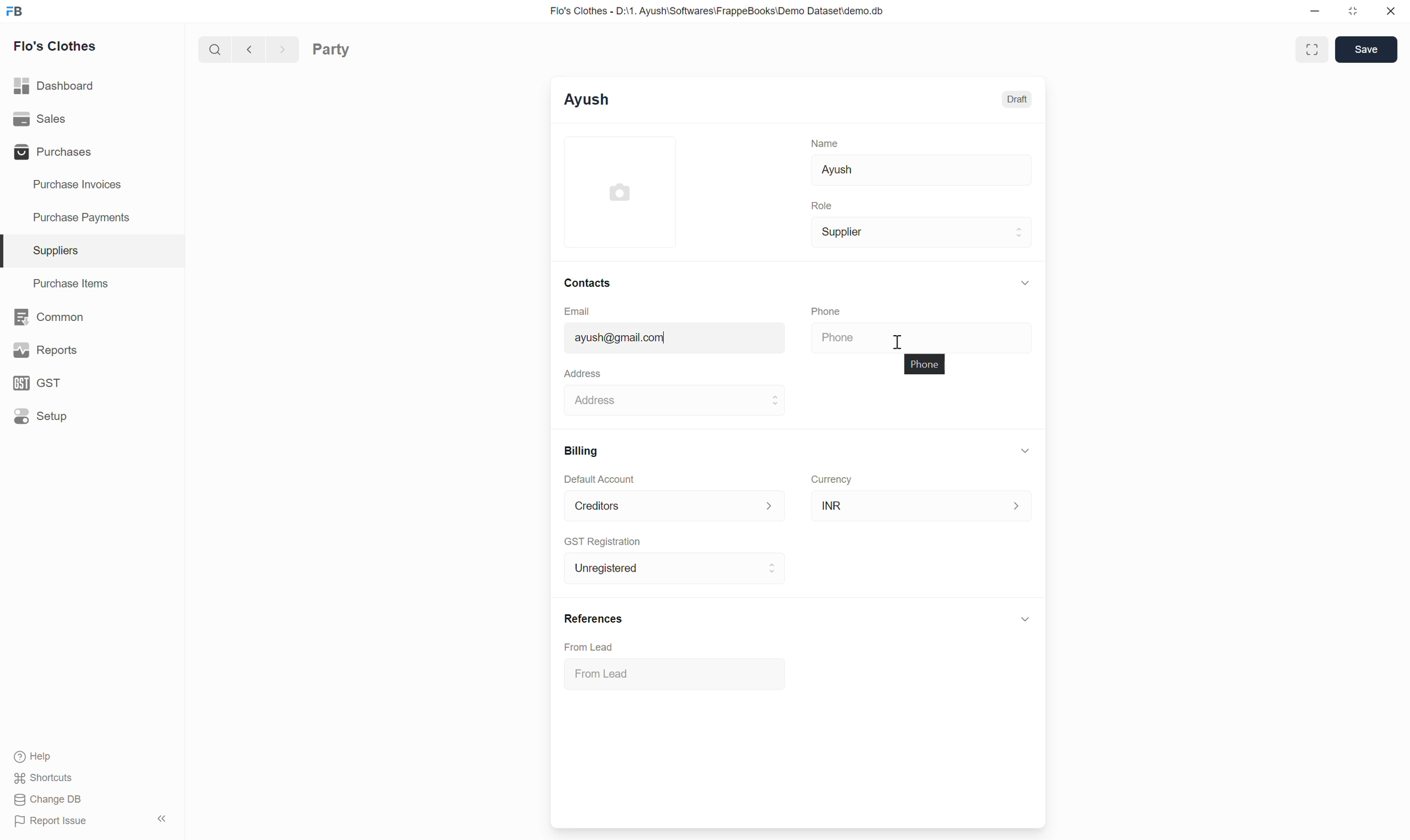 This screenshot has width=1410, height=840. Describe the element at coordinates (575, 337) in the screenshot. I see `Typing cursor` at that location.